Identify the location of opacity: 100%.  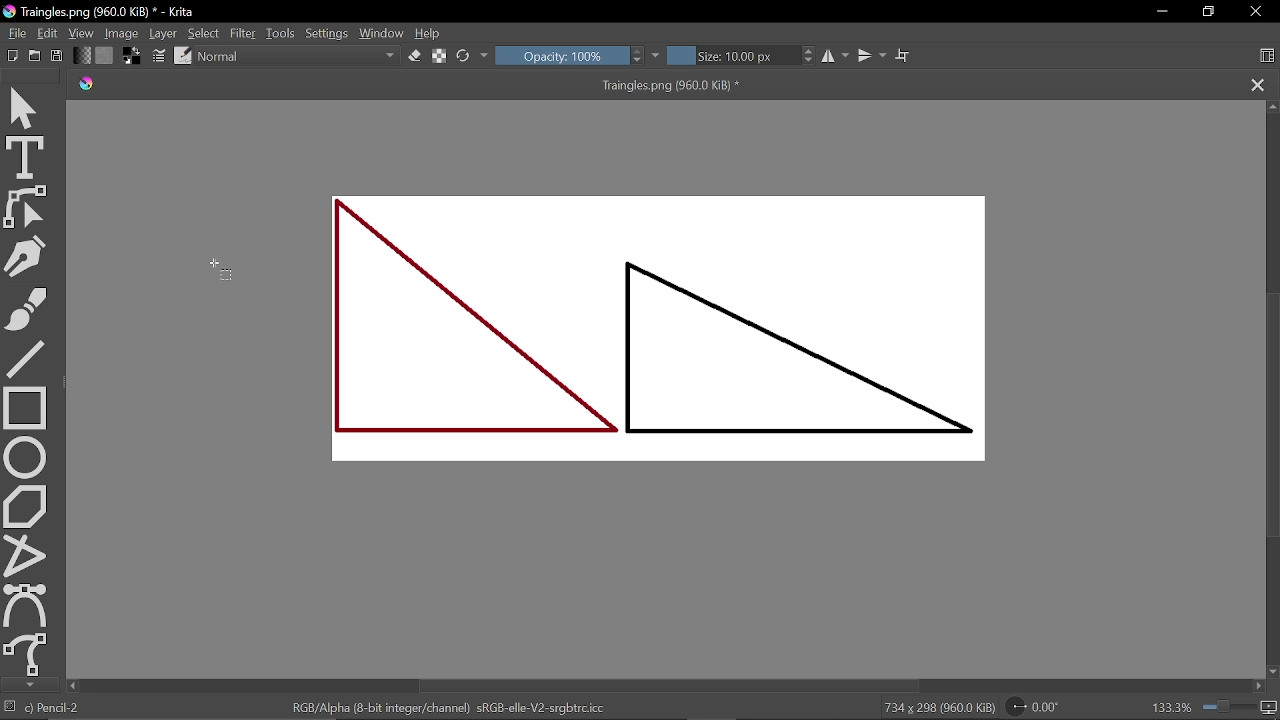
(579, 55).